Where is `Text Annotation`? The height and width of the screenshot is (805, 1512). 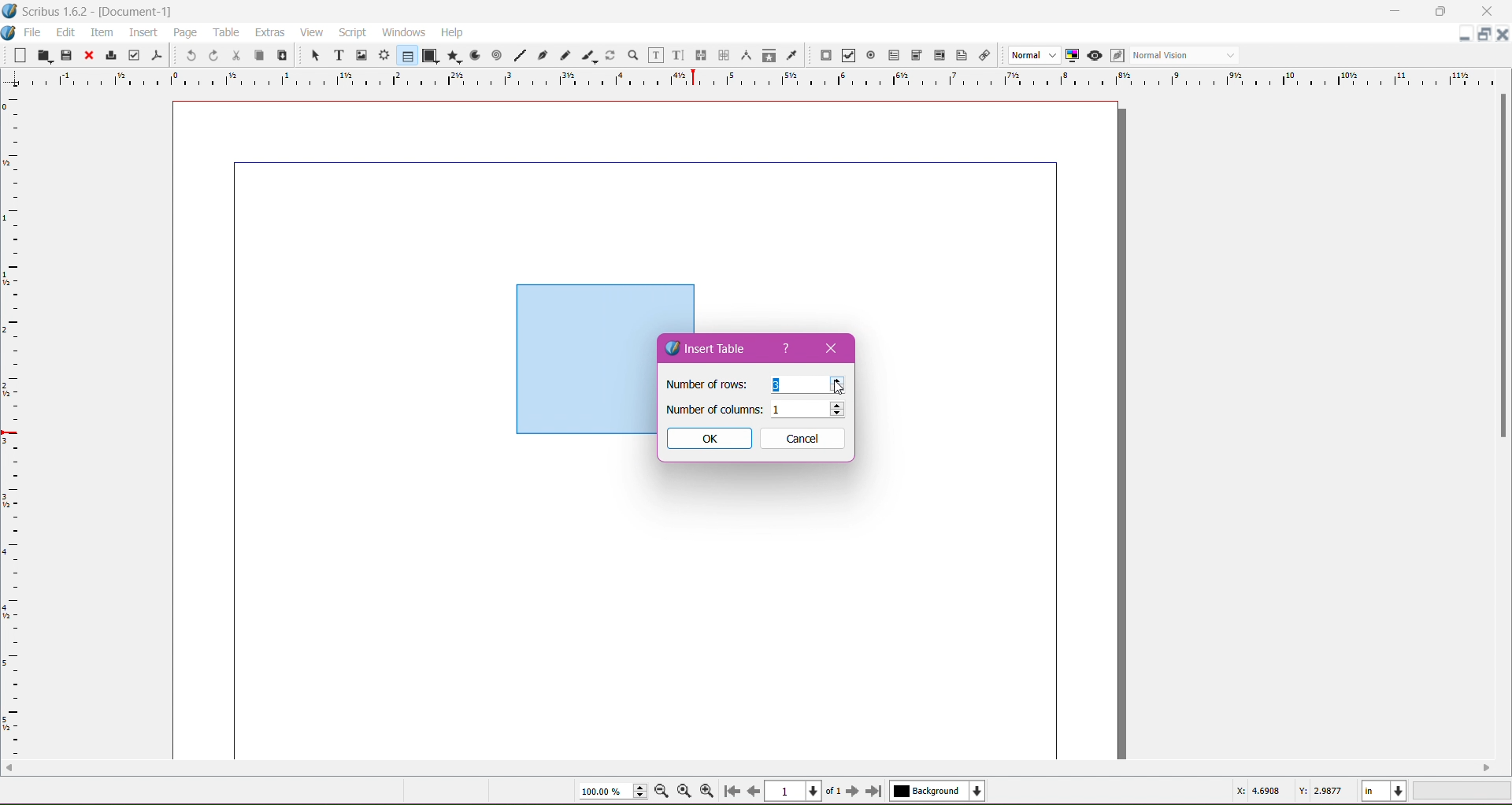
Text Annotation is located at coordinates (959, 53).